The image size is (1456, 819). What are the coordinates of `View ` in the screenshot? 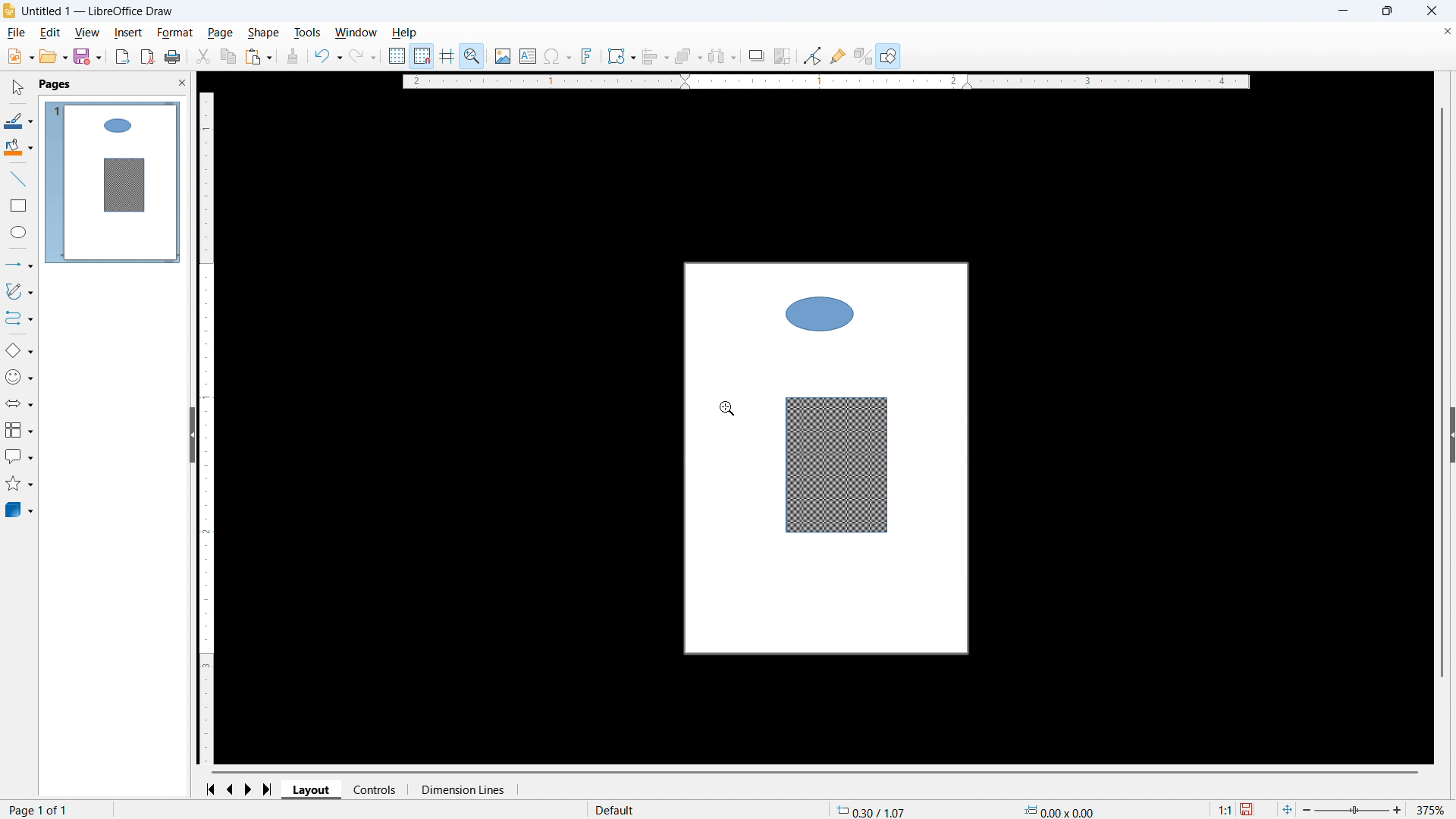 It's located at (89, 33).